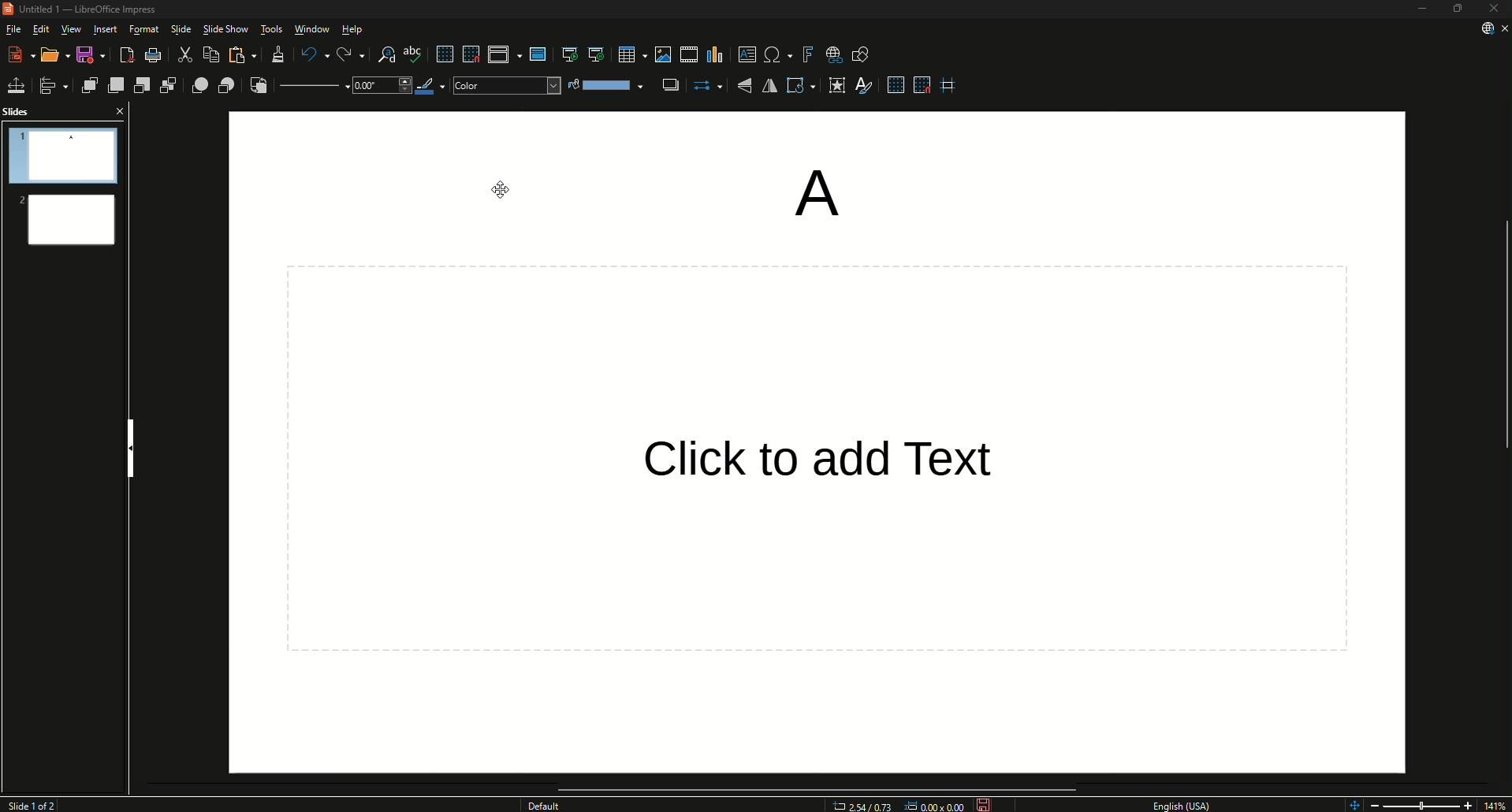 The height and width of the screenshot is (812, 1512). Describe the element at coordinates (810, 189) in the screenshot. I see `A` at that location.